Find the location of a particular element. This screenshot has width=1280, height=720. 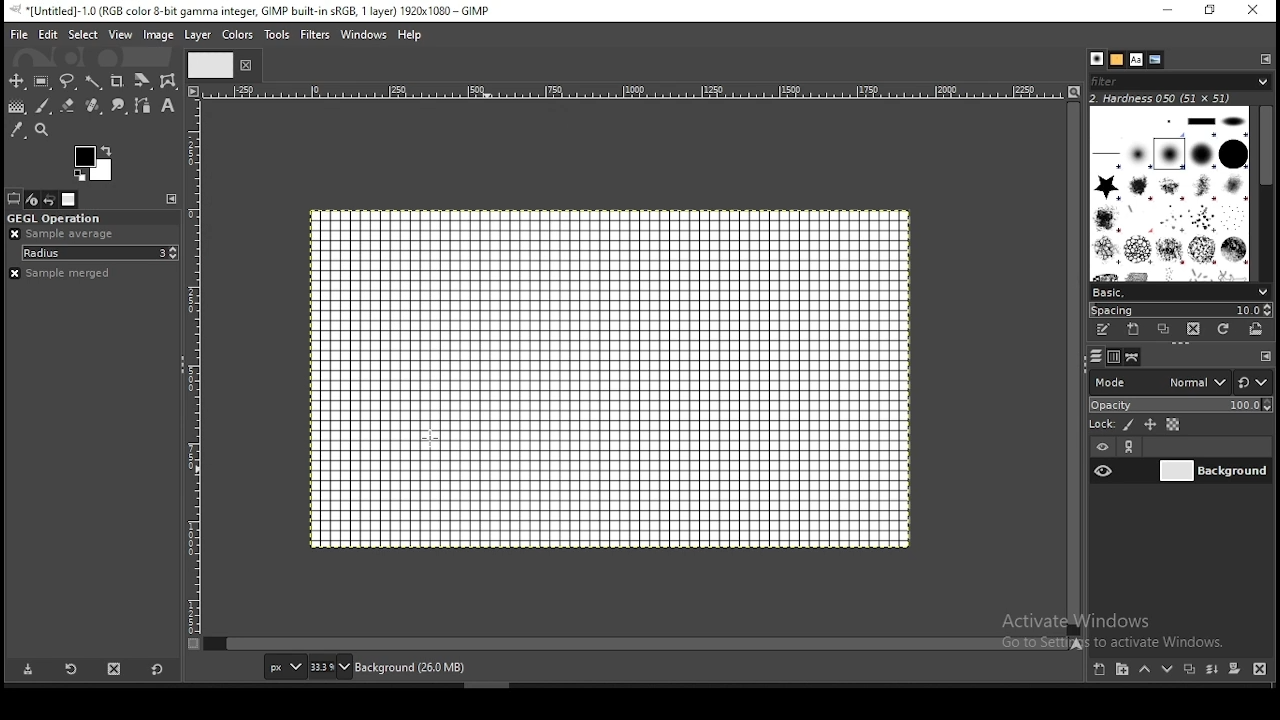

close window is located at coordinates (1255, 12).